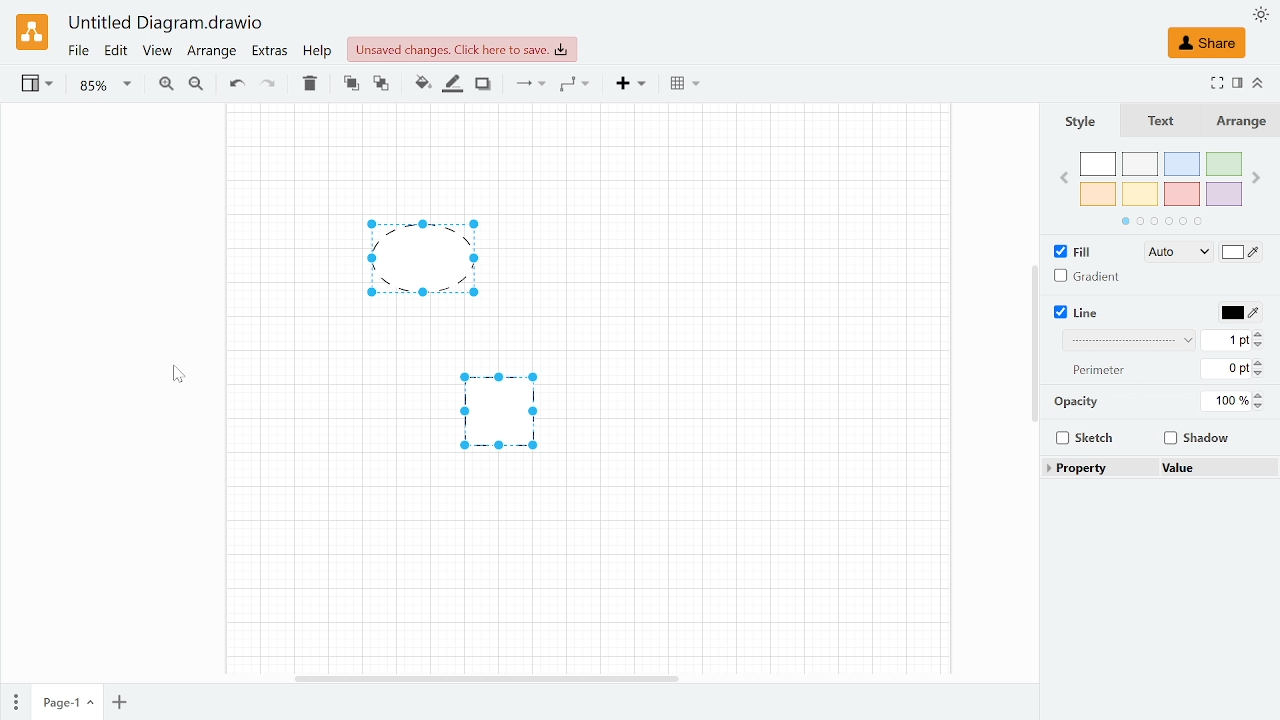  I want to click on Connection, so click(529, 85).